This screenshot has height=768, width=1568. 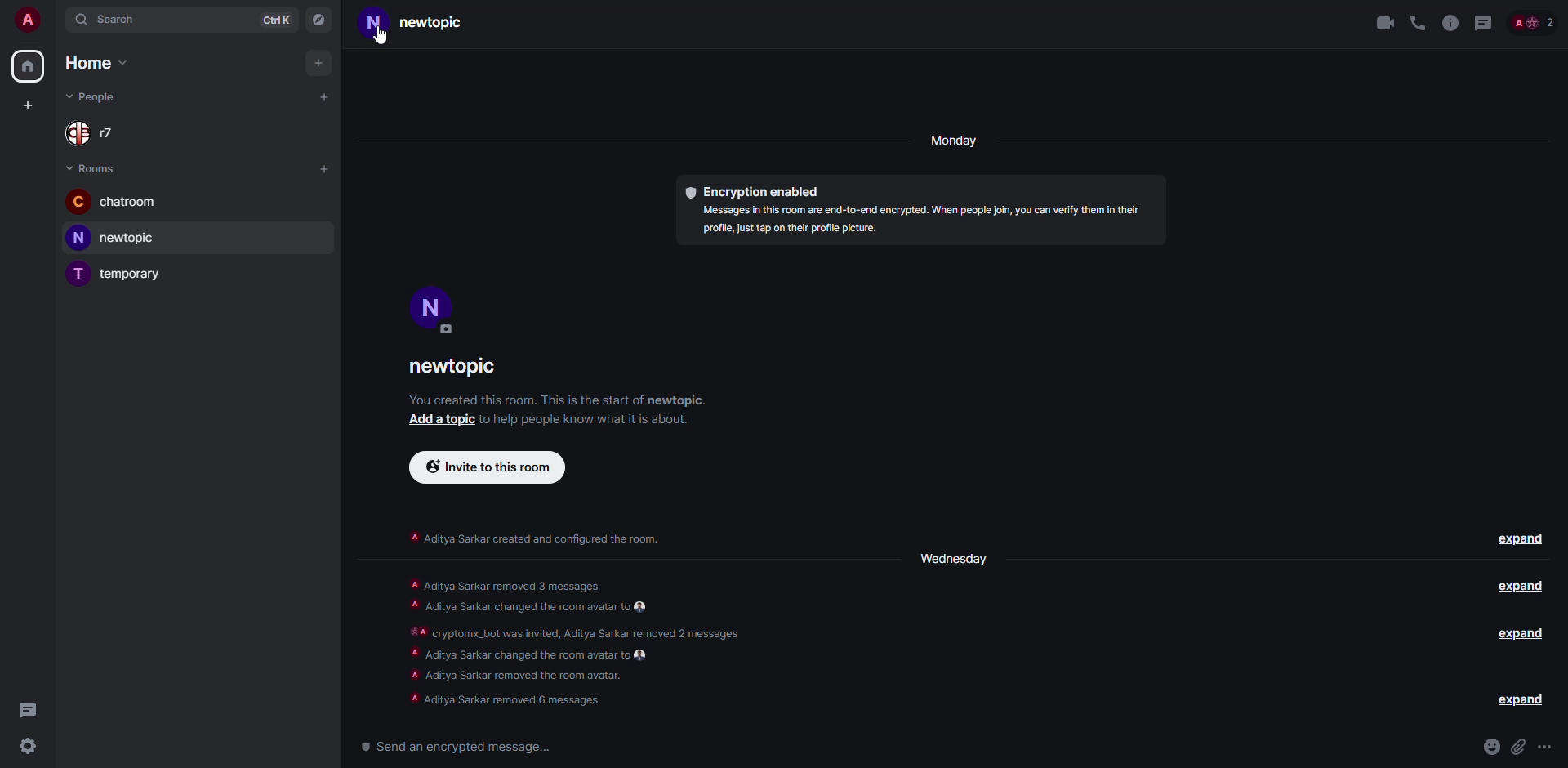 I want to click on > to help people know what it is about., so click(x=581, y=419).